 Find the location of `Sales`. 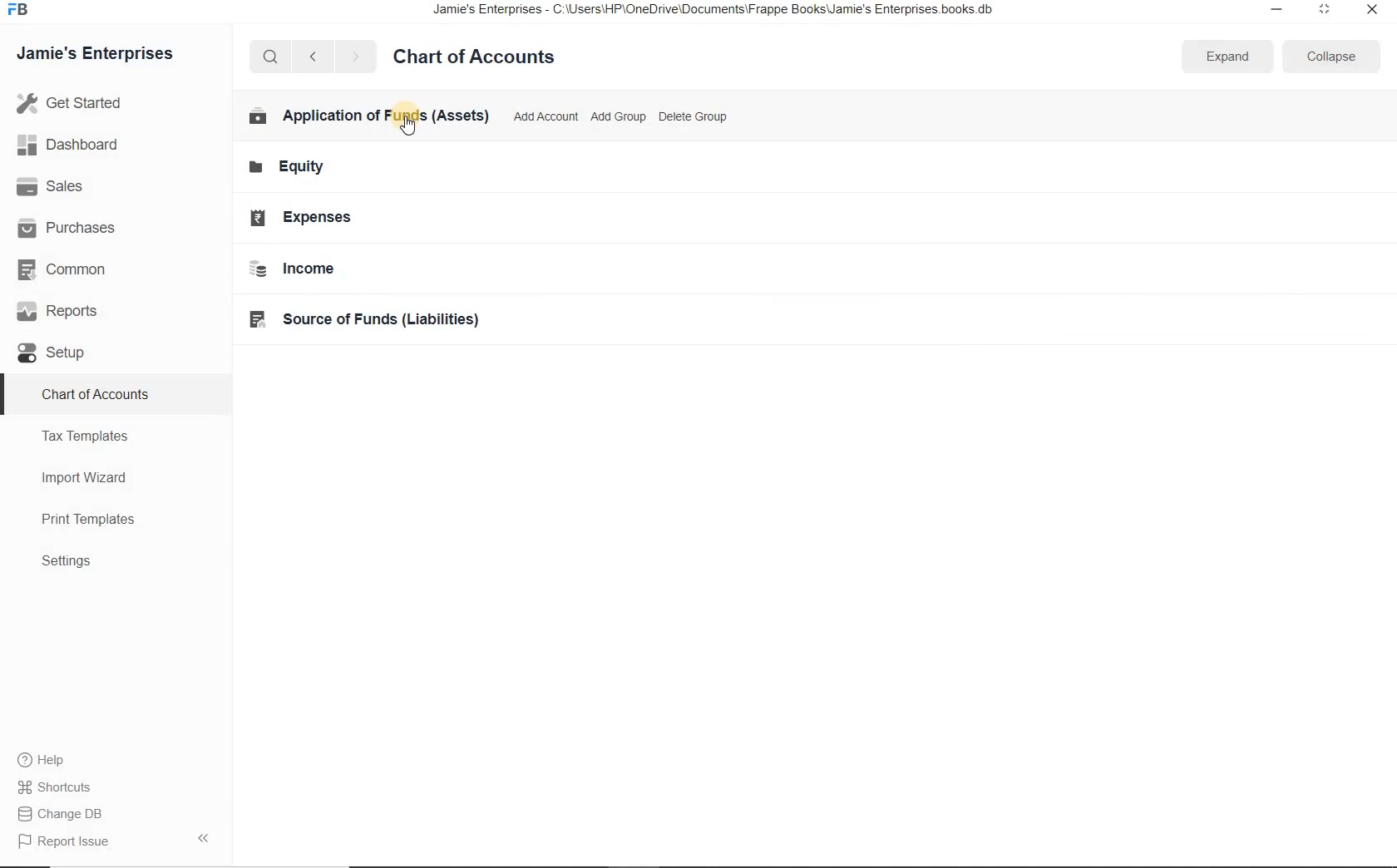

Sales is located at coordinates (72, 187).